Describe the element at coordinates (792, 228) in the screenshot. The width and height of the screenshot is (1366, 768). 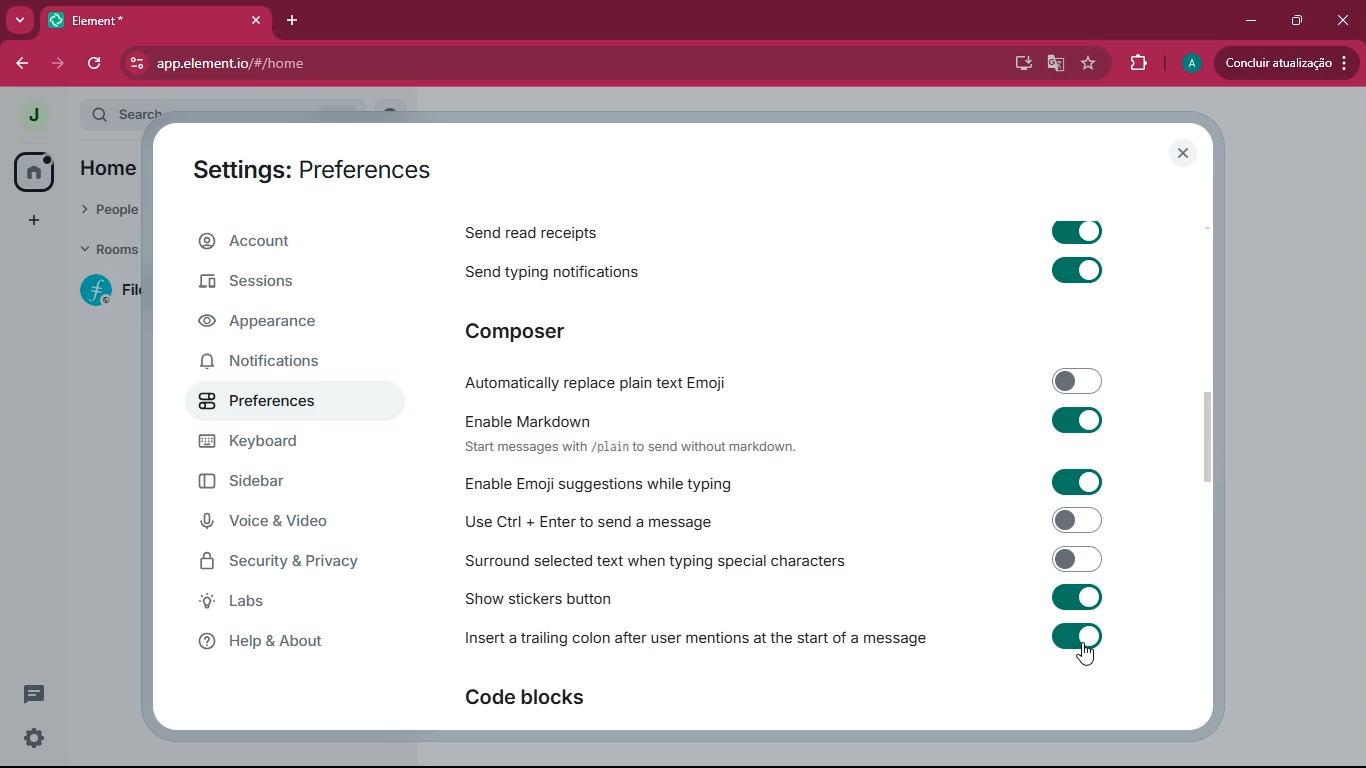
I see `Send read receipts` at that location.